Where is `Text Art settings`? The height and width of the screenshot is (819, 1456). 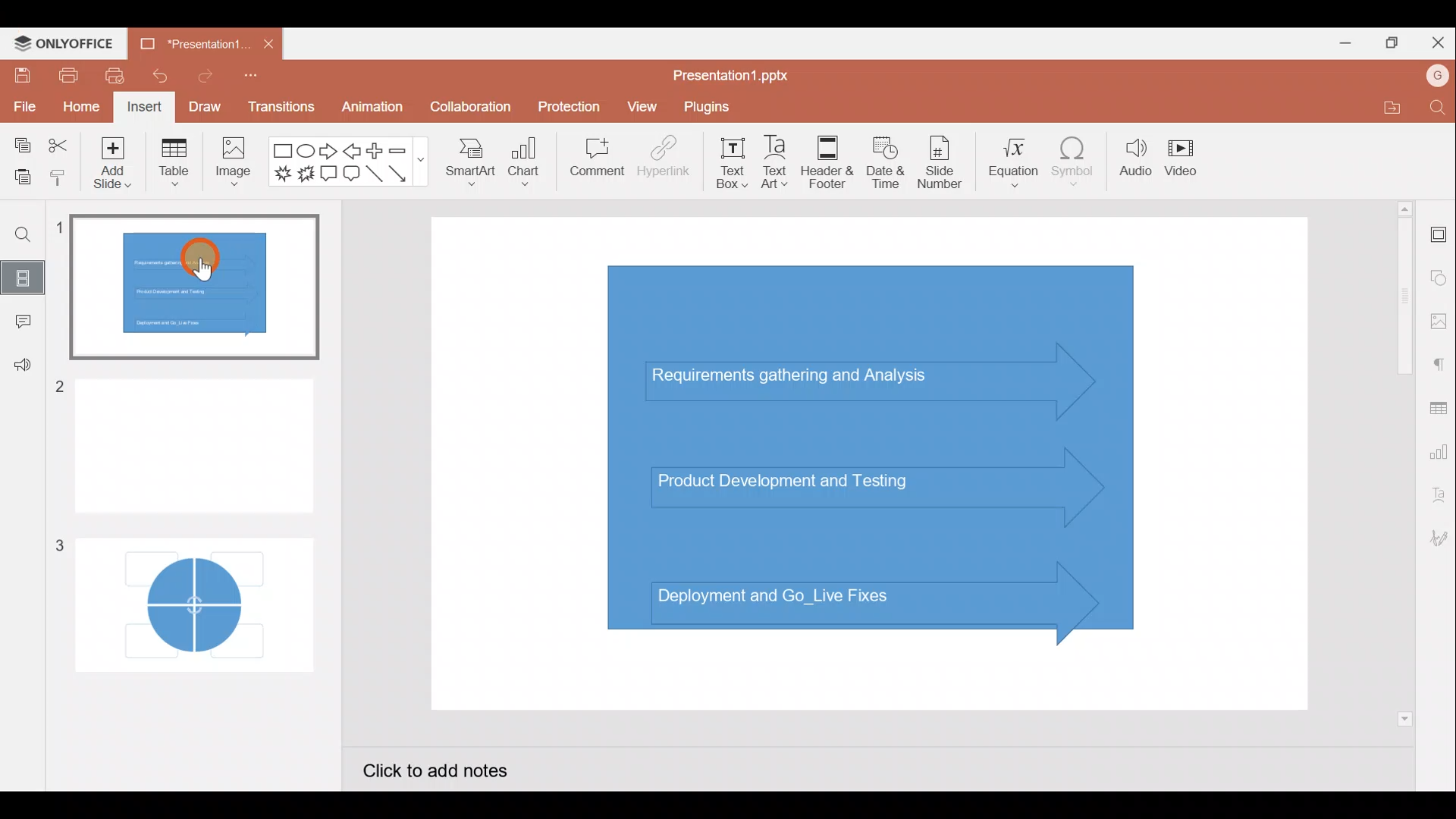
Text Art settings is located at coordinates (1437, 500).